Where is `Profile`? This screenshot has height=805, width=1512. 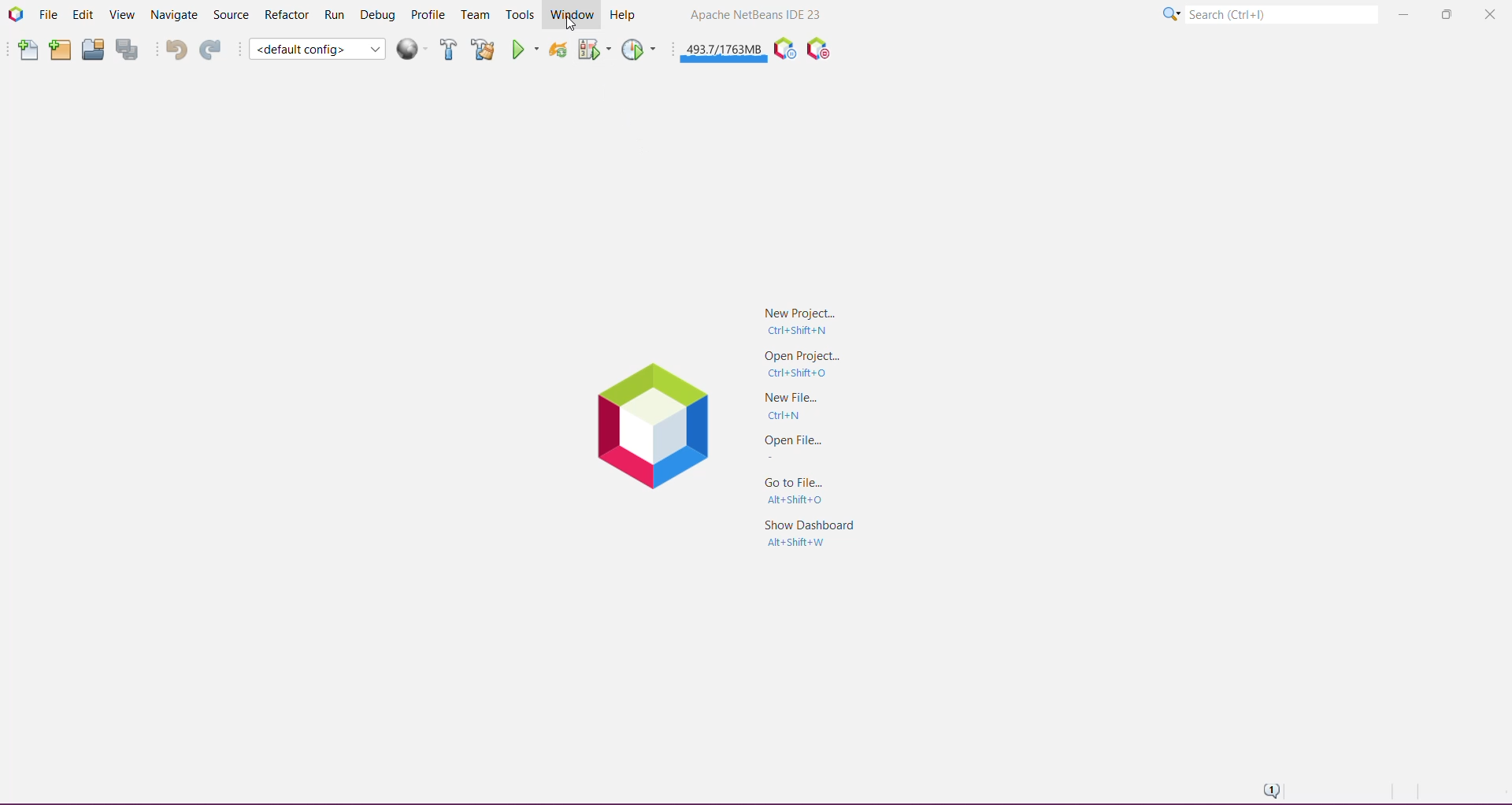 Profile is located at coordinates (429, 15).